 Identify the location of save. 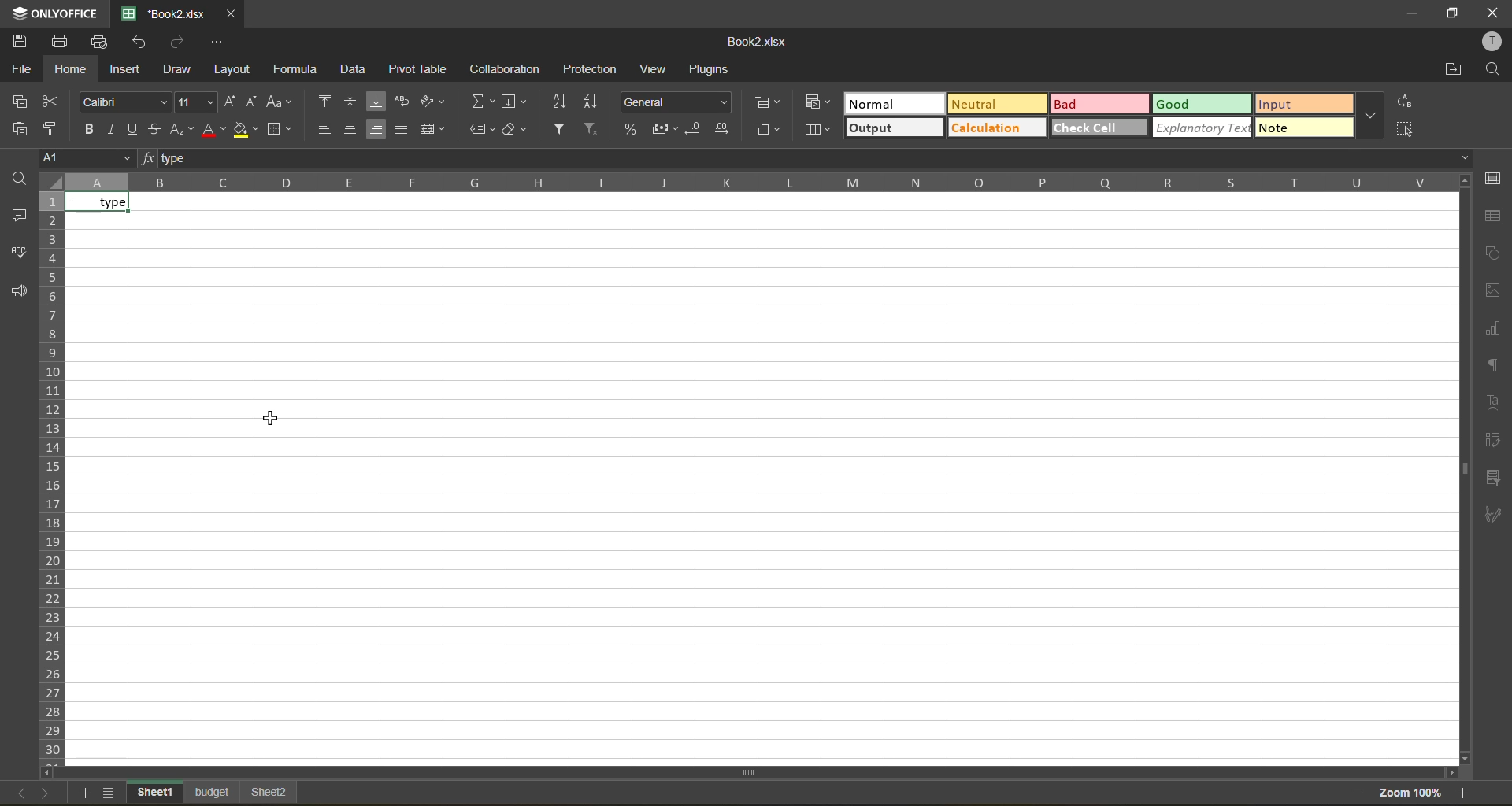
(26, 42).